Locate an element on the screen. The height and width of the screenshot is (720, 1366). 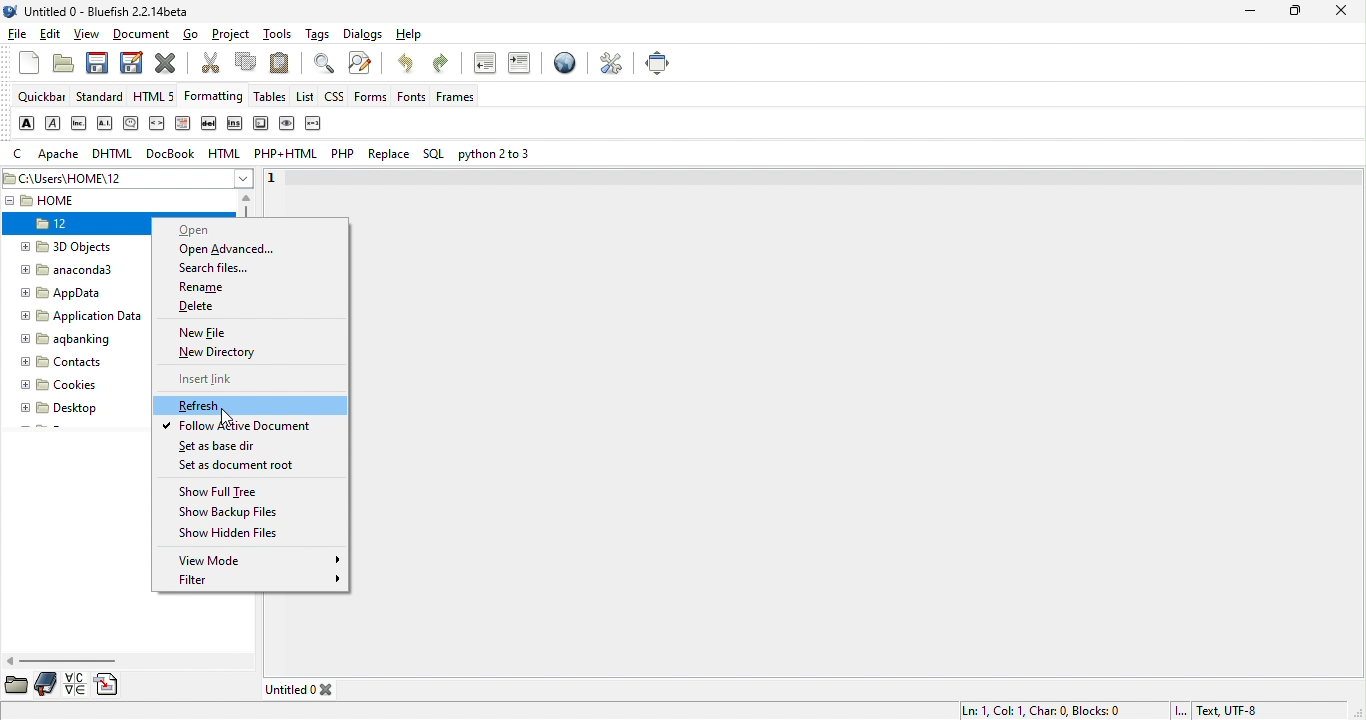
dialogs is located at coordinates (362, 35).